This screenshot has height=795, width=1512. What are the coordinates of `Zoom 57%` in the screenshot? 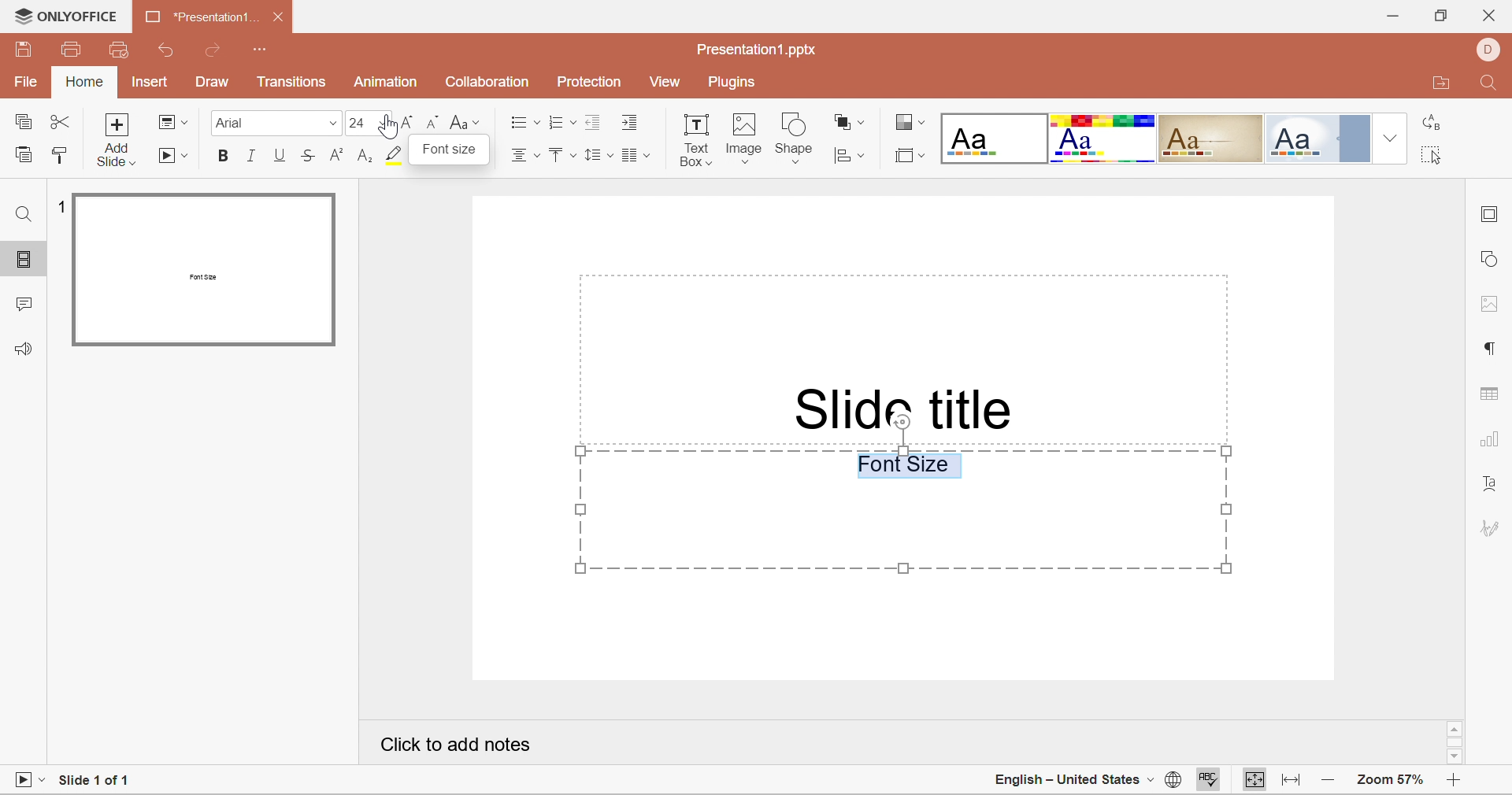 It's located at (1393, 780).